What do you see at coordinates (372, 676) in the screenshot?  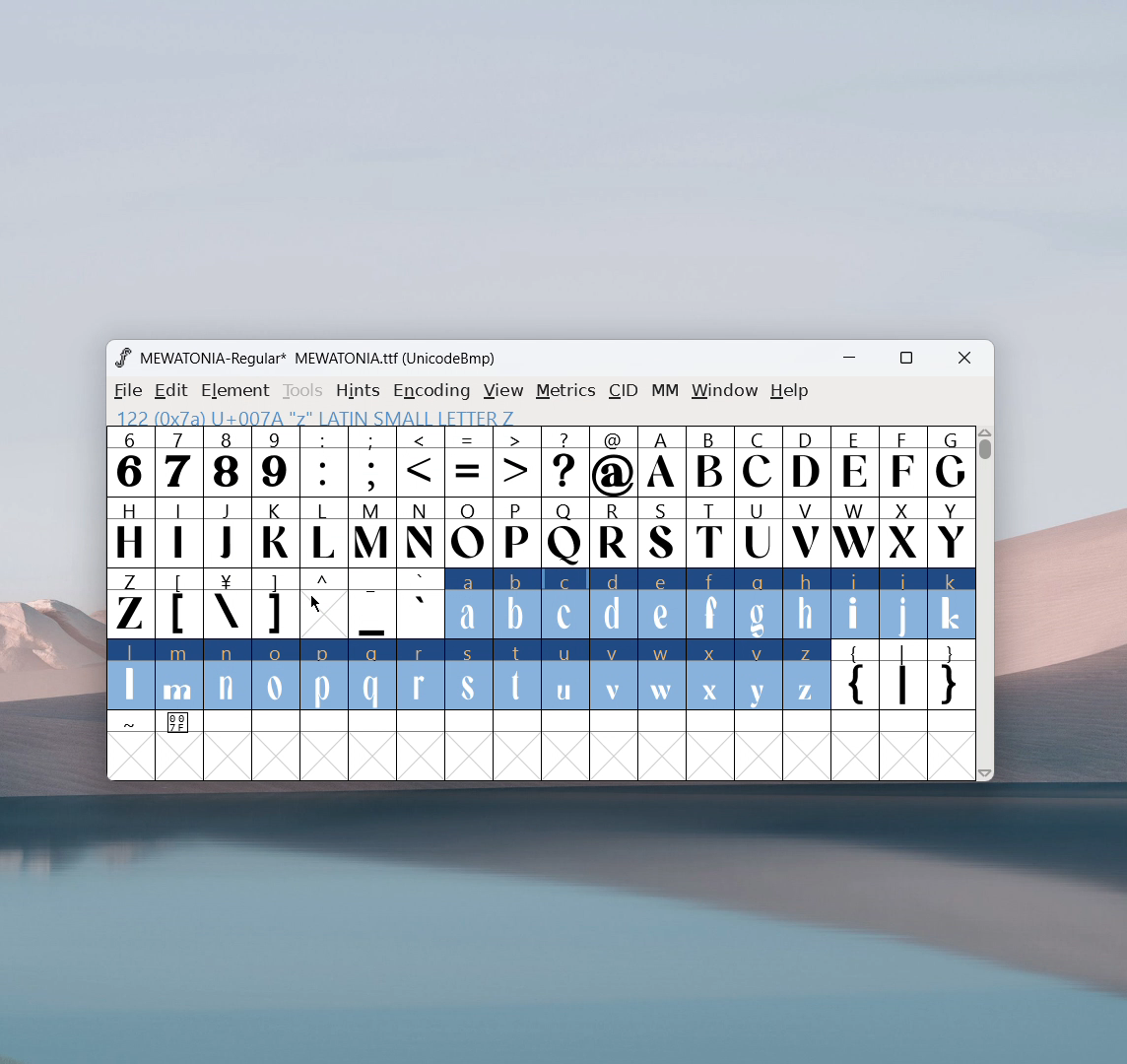 I see `q` at bounding box center [372, 676].